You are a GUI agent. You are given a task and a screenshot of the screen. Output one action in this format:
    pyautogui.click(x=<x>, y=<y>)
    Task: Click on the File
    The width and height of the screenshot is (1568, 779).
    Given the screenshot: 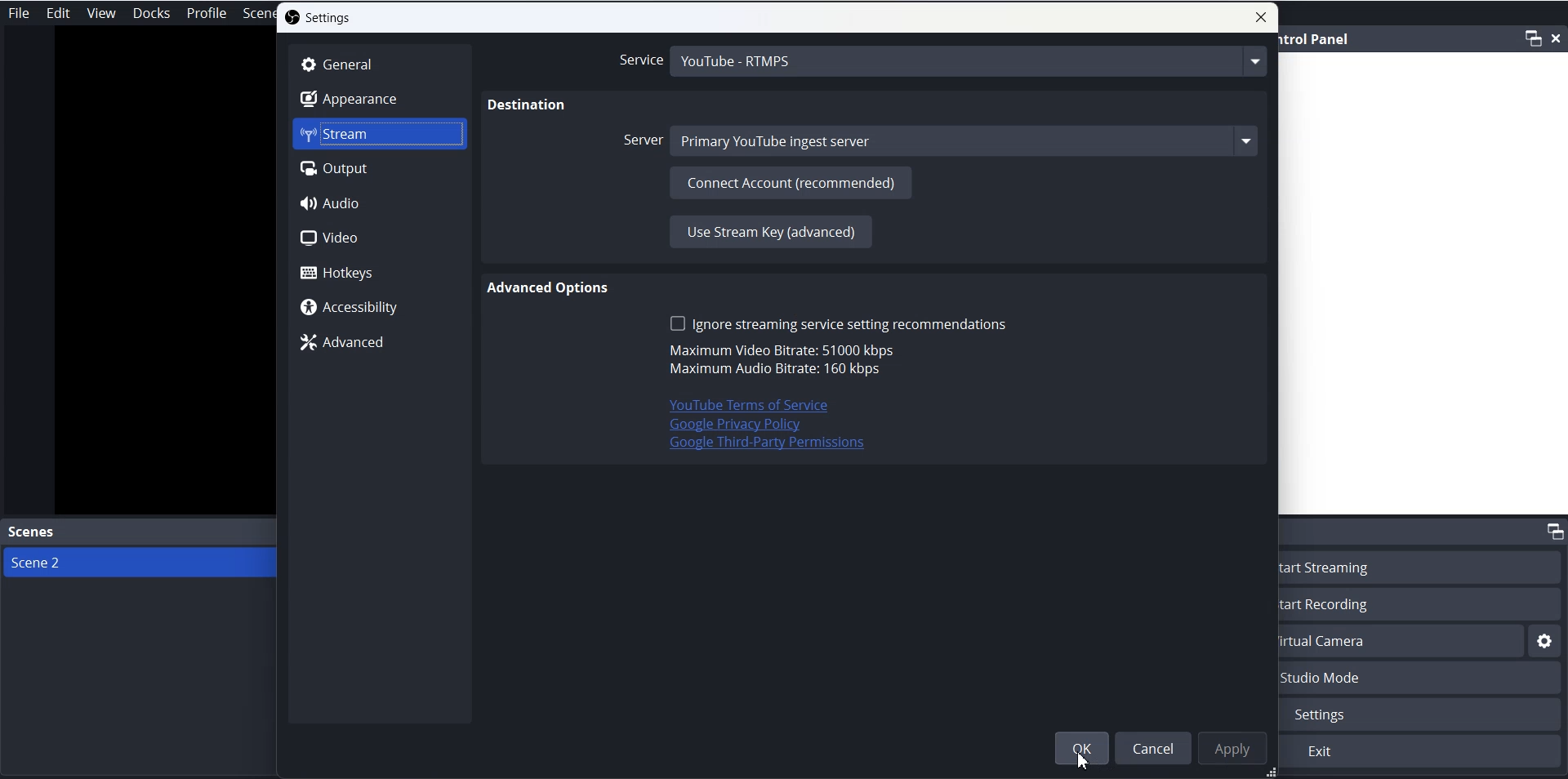 What is the action you would take?
    pyautogui.click(x=21, y=12)
    